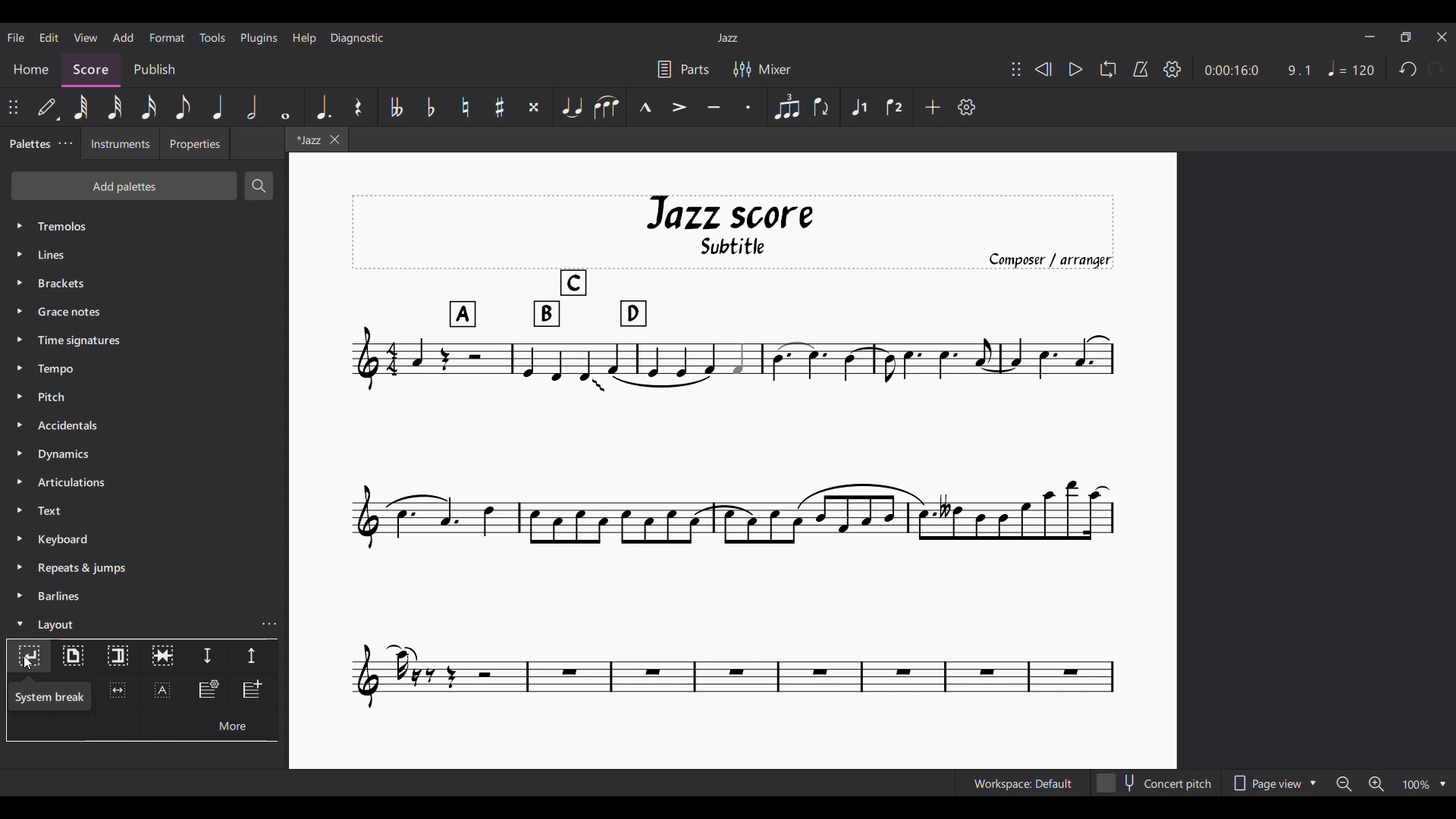 The height and width of the screenshot is (819, 1456). What do you see at coordinates (1351, 68) in the screenshot?
I see `Tempo` at bounding box center [1351, 68].